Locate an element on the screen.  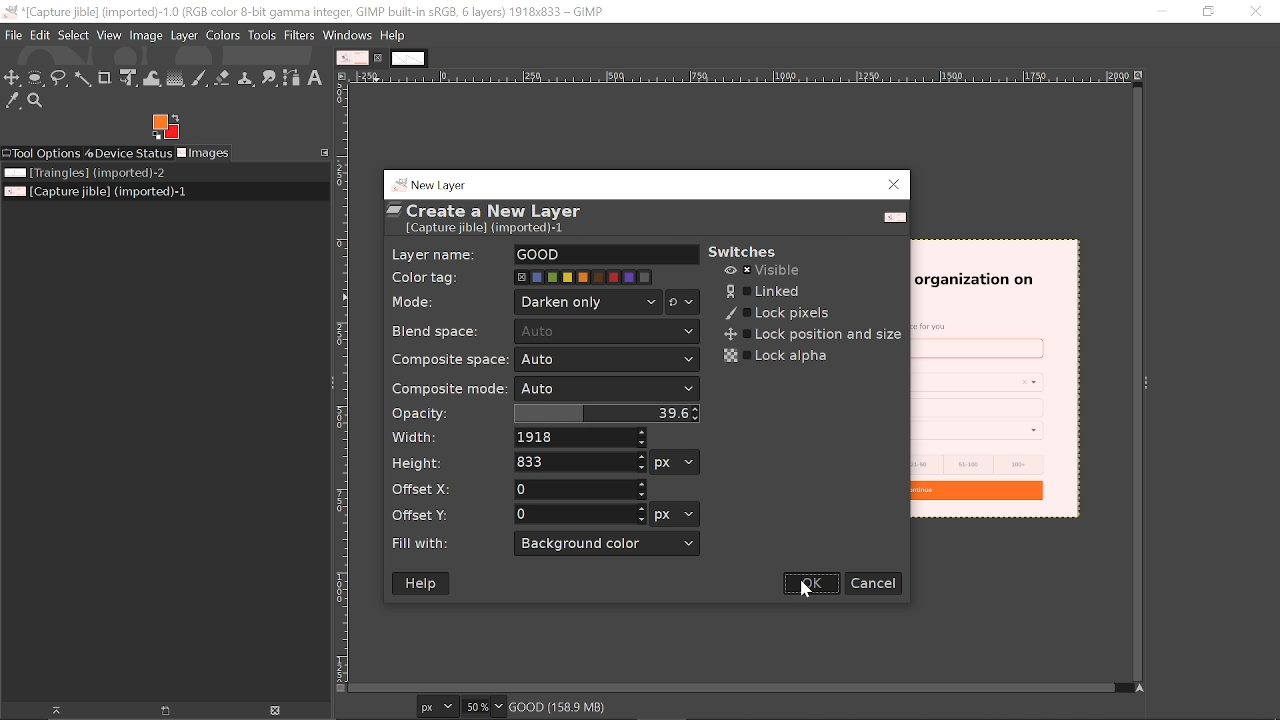
Image is located at coordinates (147, 35).